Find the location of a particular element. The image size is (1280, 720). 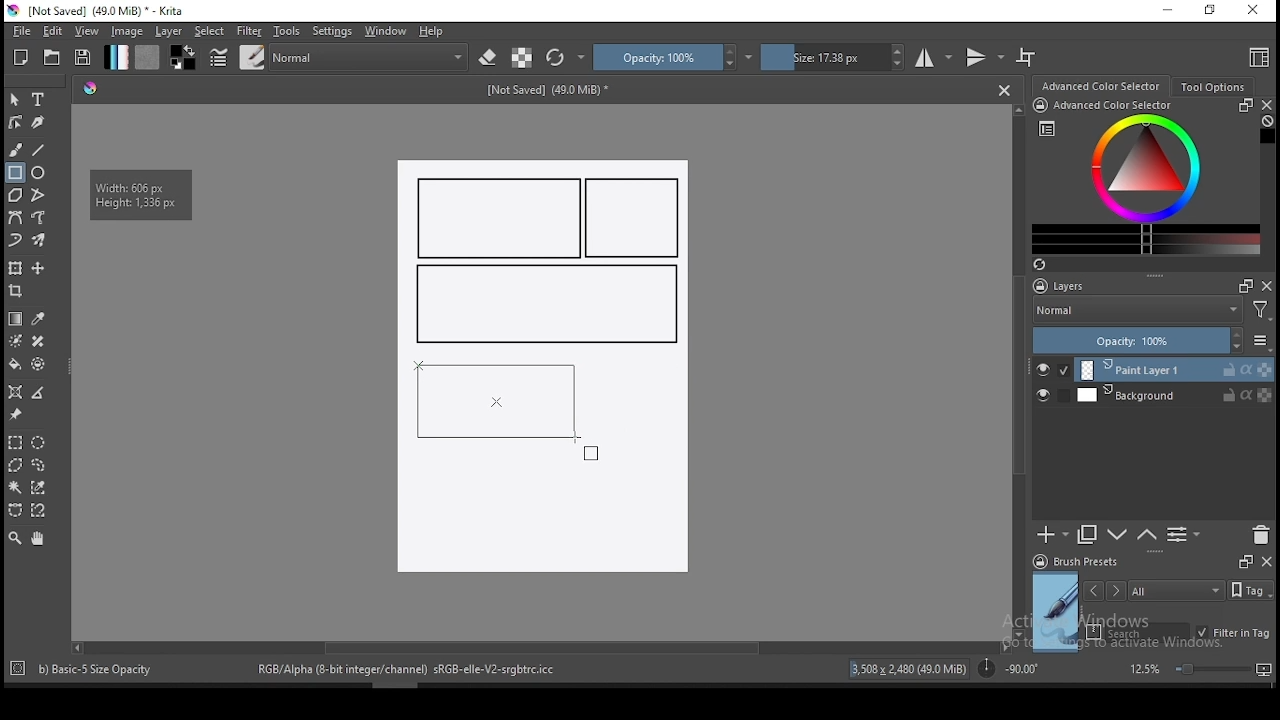

brush settings is located at coordinates (217, 57).